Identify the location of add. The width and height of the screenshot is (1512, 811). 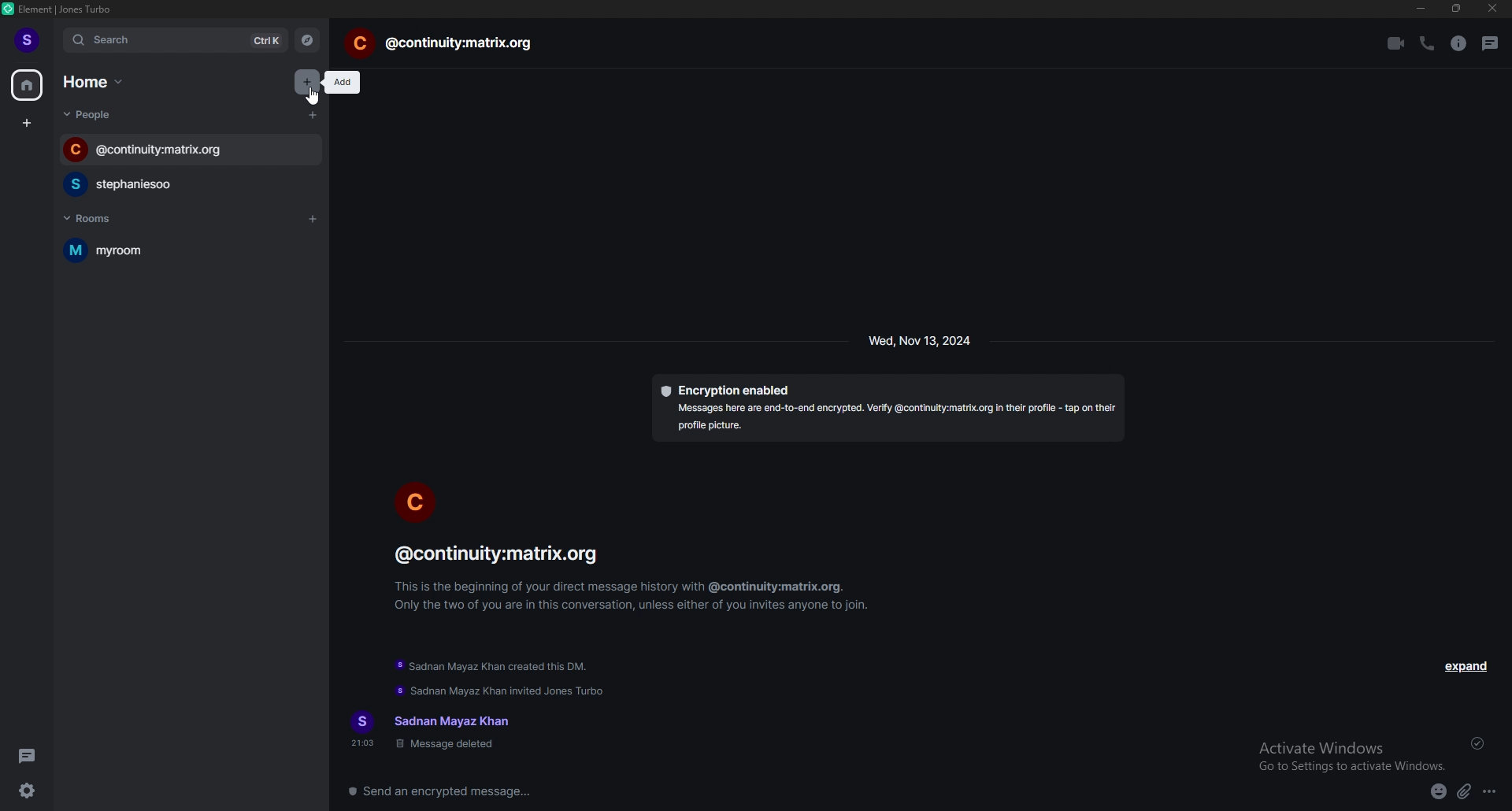
(306, 79).